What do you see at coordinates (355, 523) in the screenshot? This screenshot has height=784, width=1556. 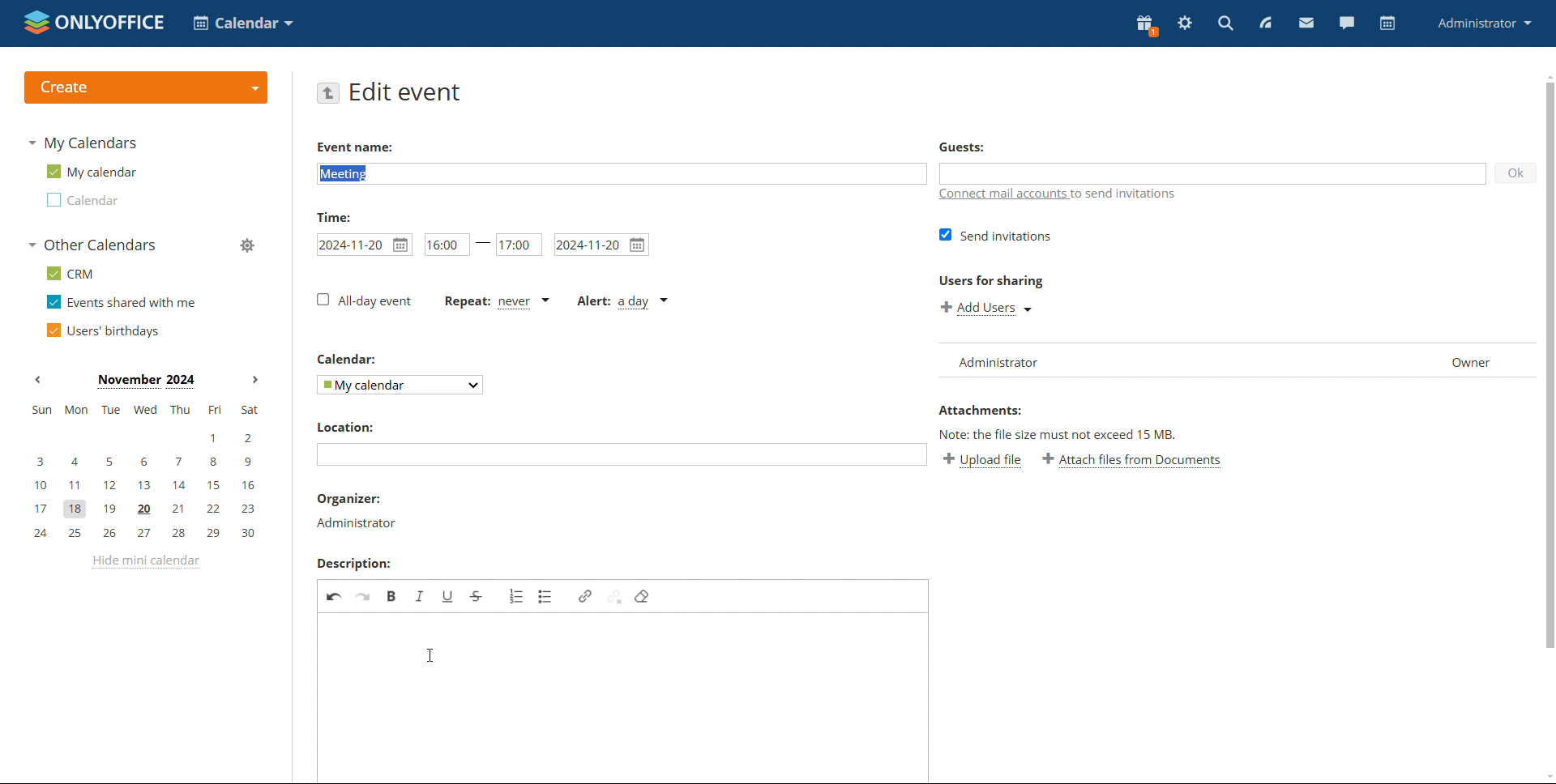 I see `organiser` at bounding box center [355, 523].